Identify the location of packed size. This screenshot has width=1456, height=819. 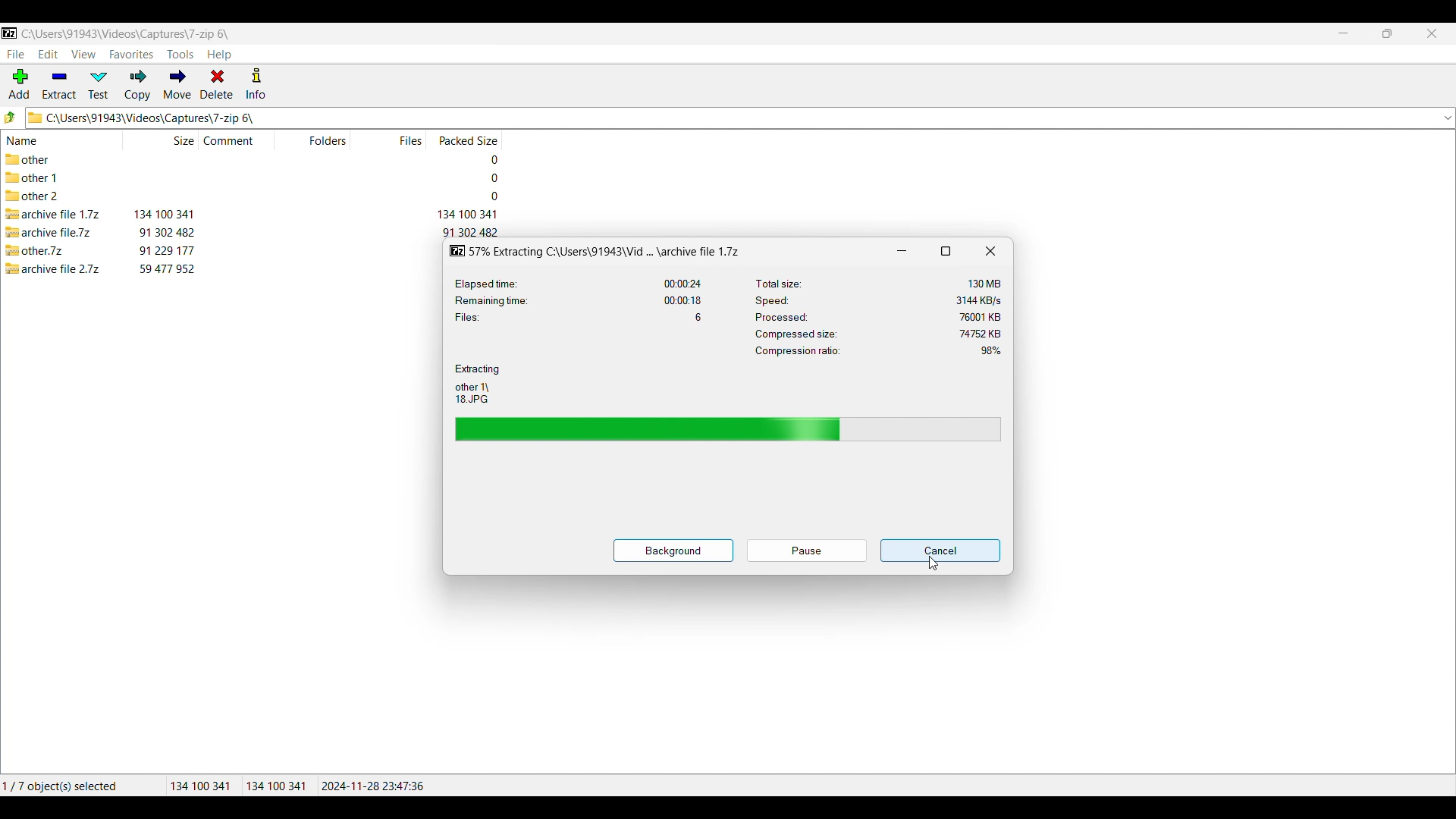
(490, 196).